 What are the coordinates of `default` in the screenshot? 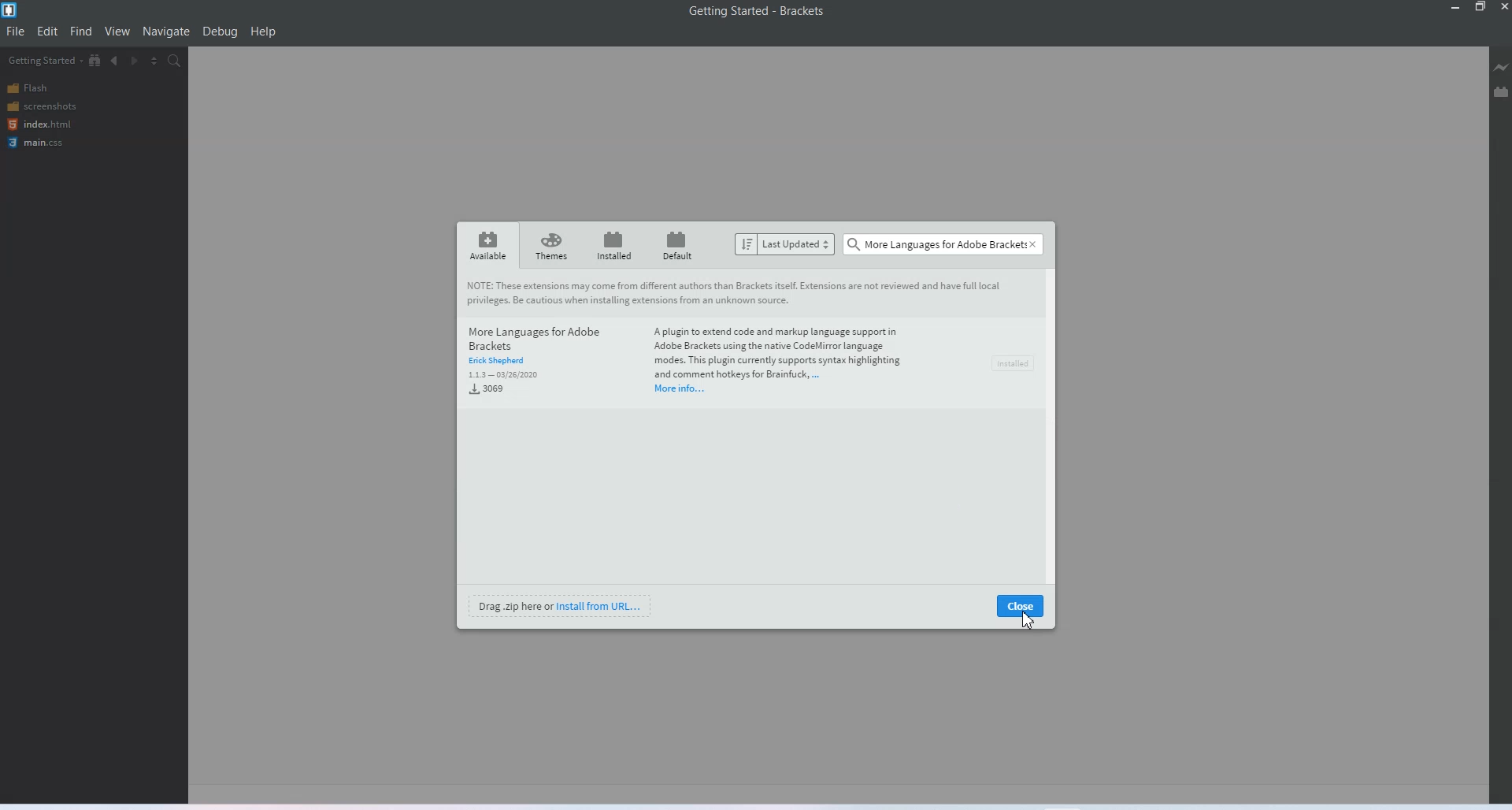 It's located at (680, 244).